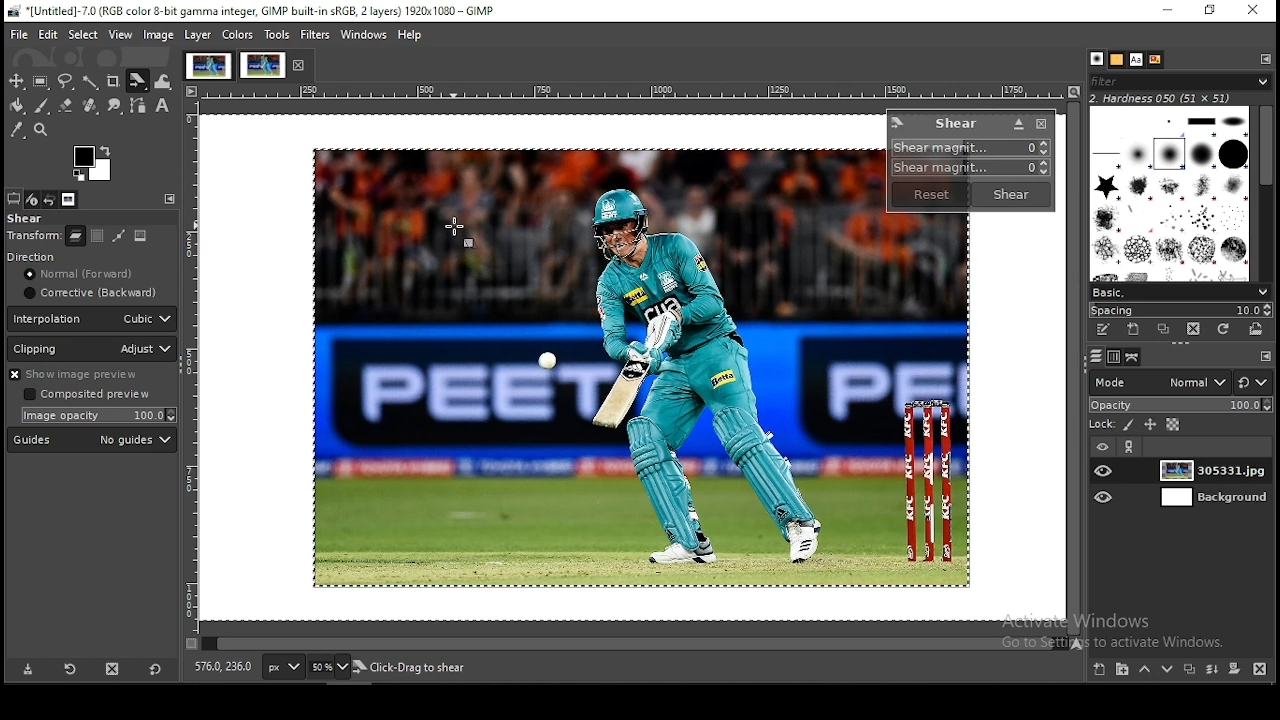  What do you see at coordinates (13, 199) in the screenshot?
I see `tool options` at bounding box center [13, 199].